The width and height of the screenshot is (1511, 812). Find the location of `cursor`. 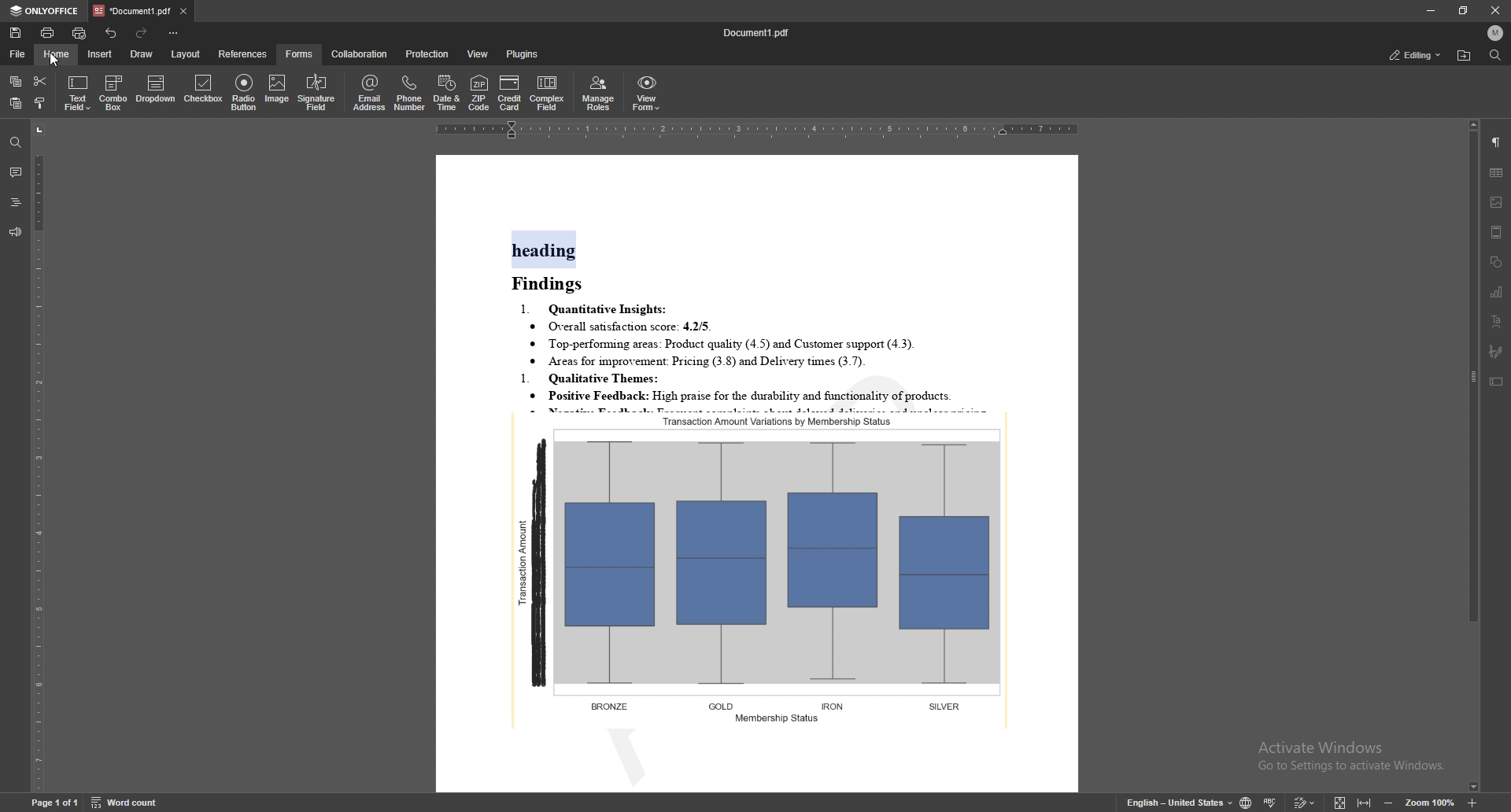

cursor is located at coordinates (54, 61).